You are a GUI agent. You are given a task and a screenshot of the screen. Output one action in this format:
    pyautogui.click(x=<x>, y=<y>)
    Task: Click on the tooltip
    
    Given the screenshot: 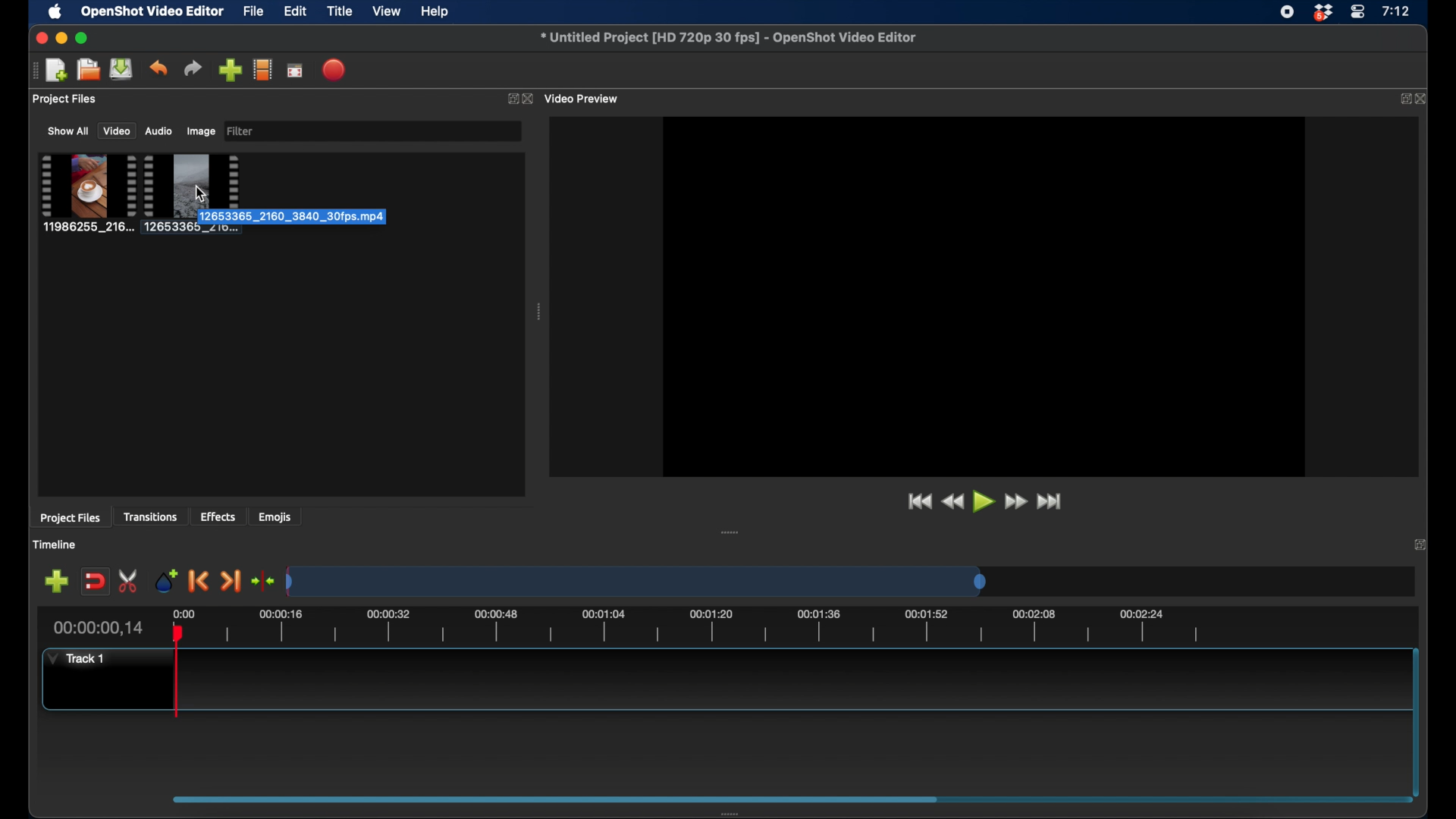 What is the action you would take?
    pyautogui.click(x=322, y=217)
    